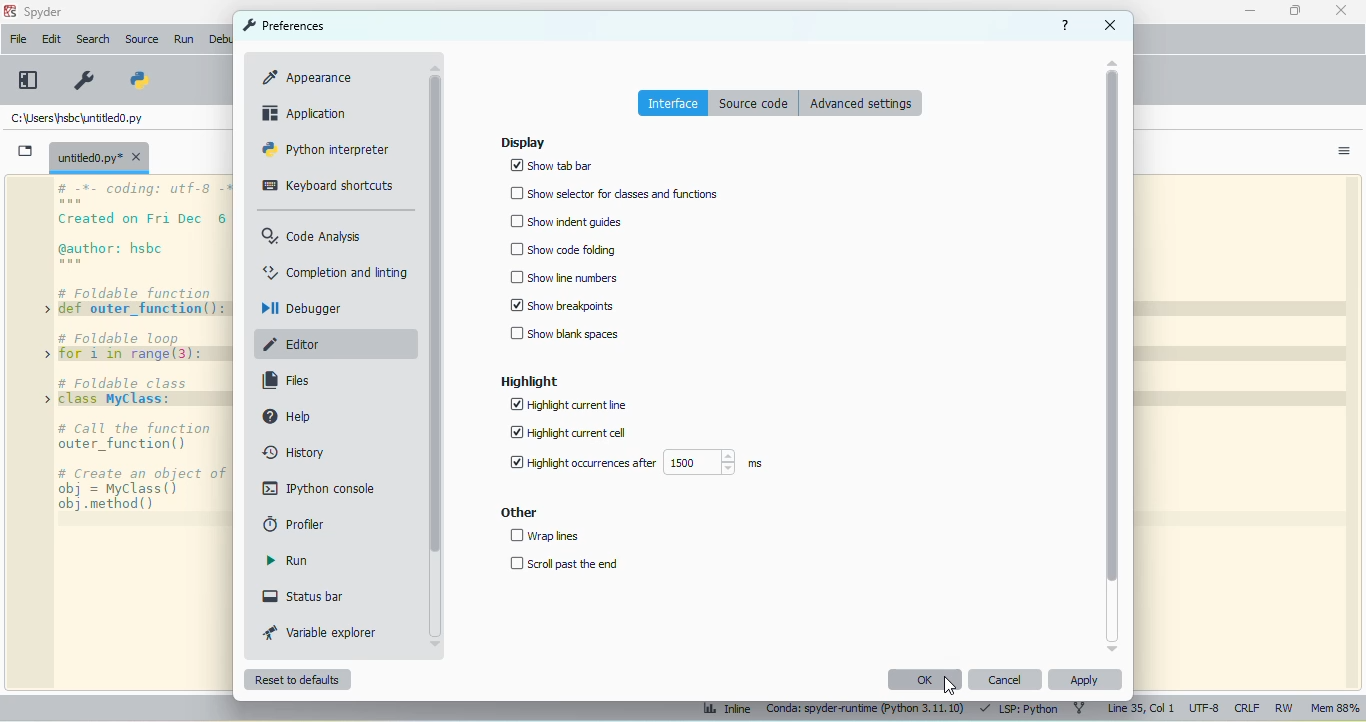  I want to click on status bar, so click(302, 596).